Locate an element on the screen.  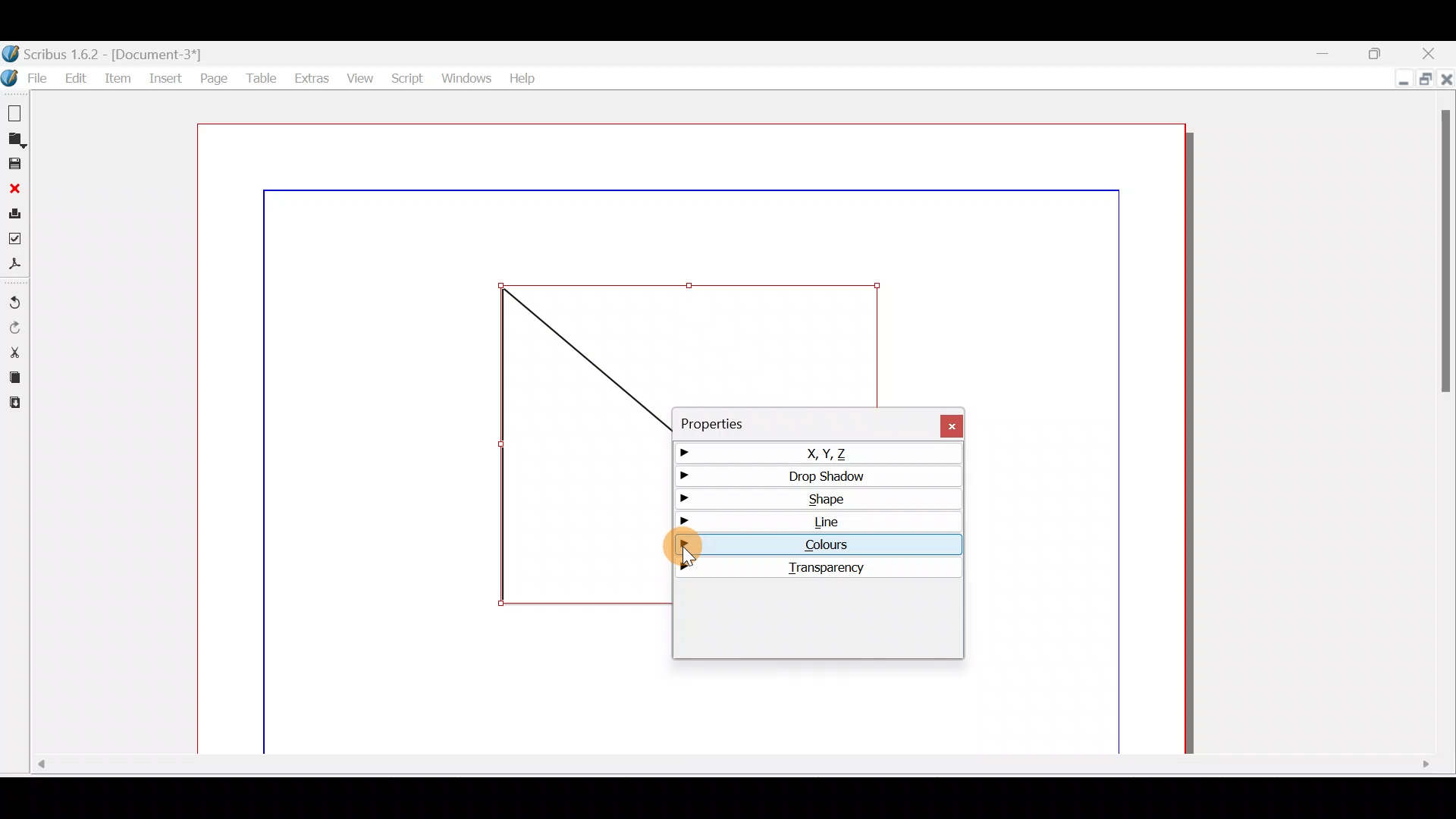
Close is located at coordinates (943, 422).